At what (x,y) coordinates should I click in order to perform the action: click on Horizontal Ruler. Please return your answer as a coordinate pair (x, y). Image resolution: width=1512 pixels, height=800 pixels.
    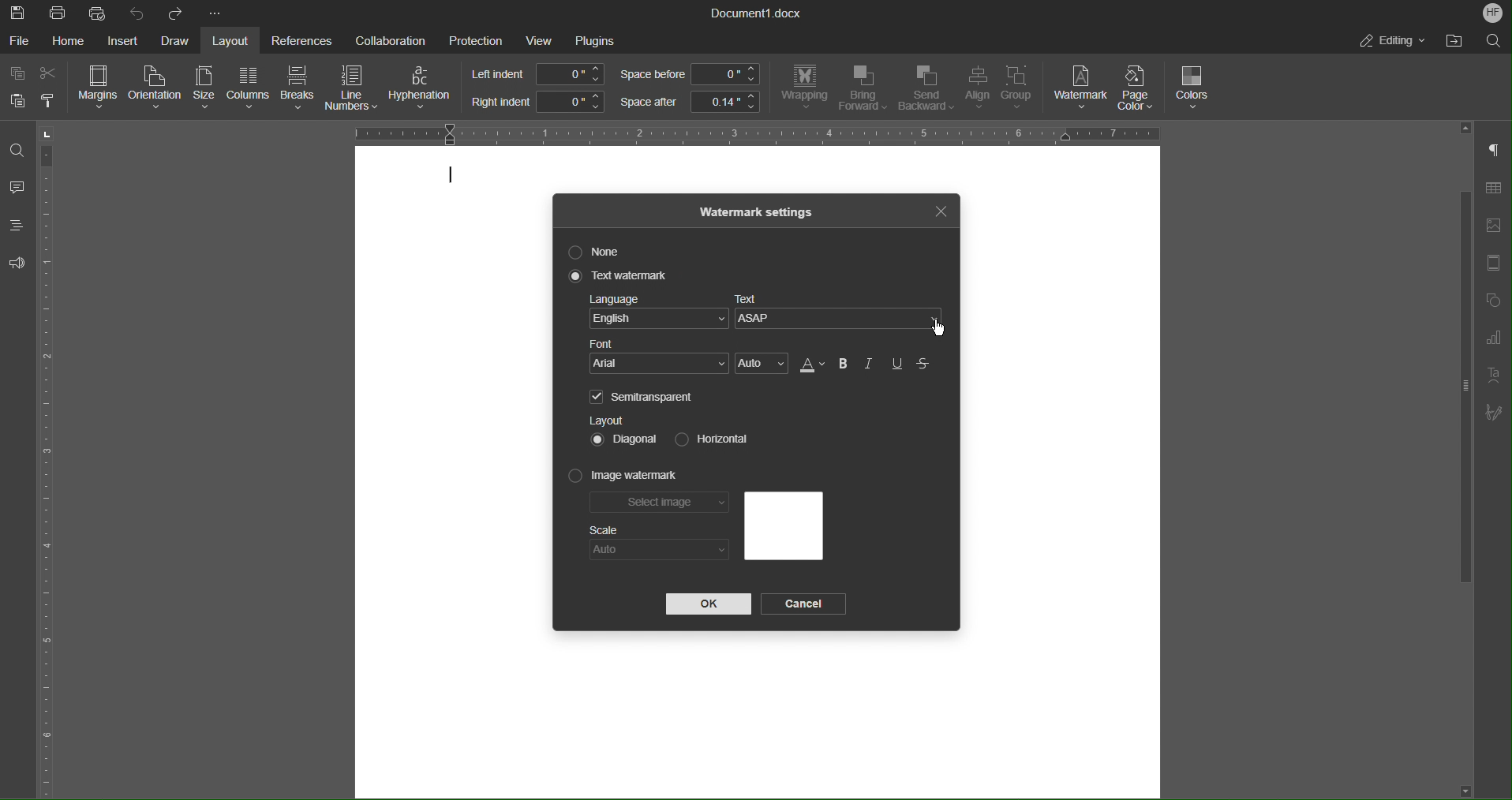
    Looking at the image, I should click on (750, 132).